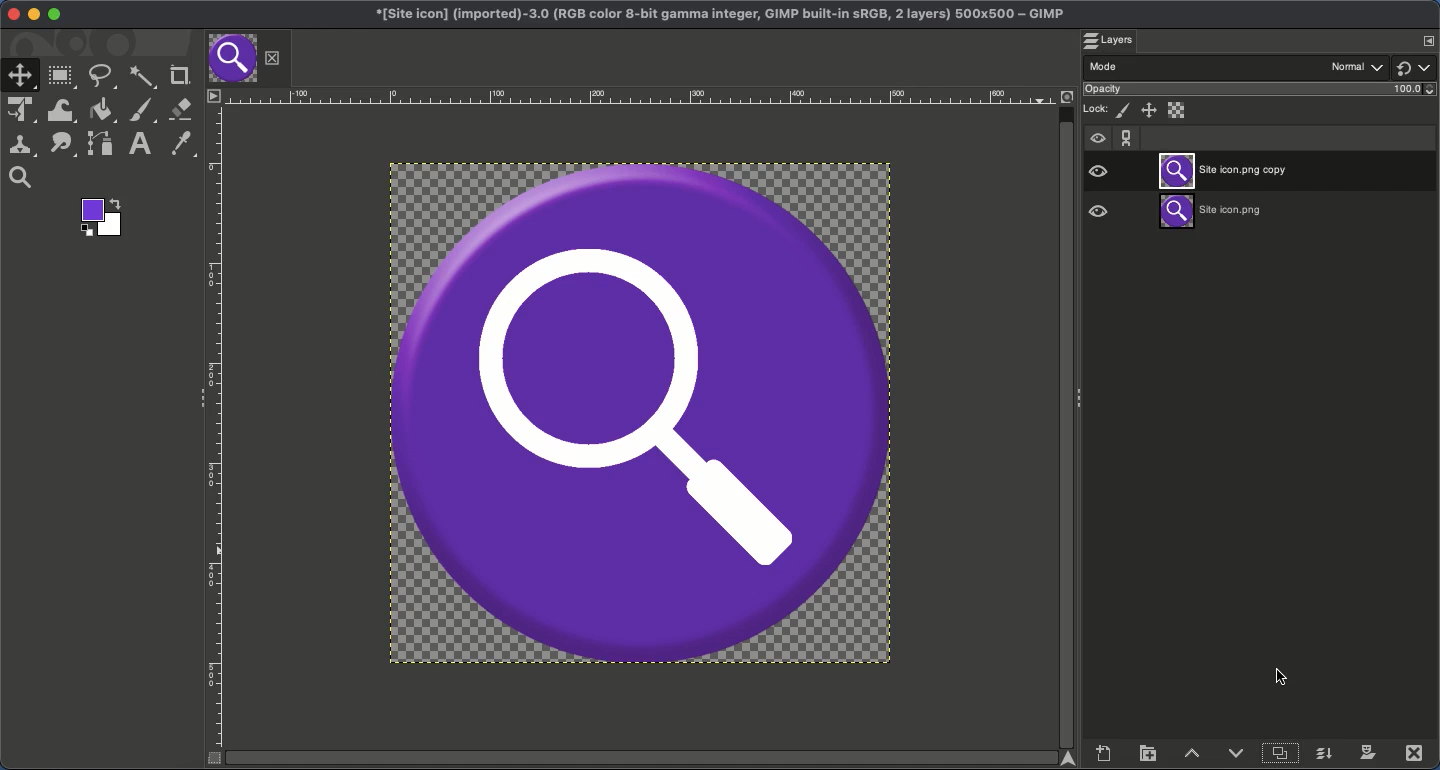 The image size is (1440, 770). Describe the element at coordinates (1215, 217) in the screenshot. I see `Current layer` at that location.